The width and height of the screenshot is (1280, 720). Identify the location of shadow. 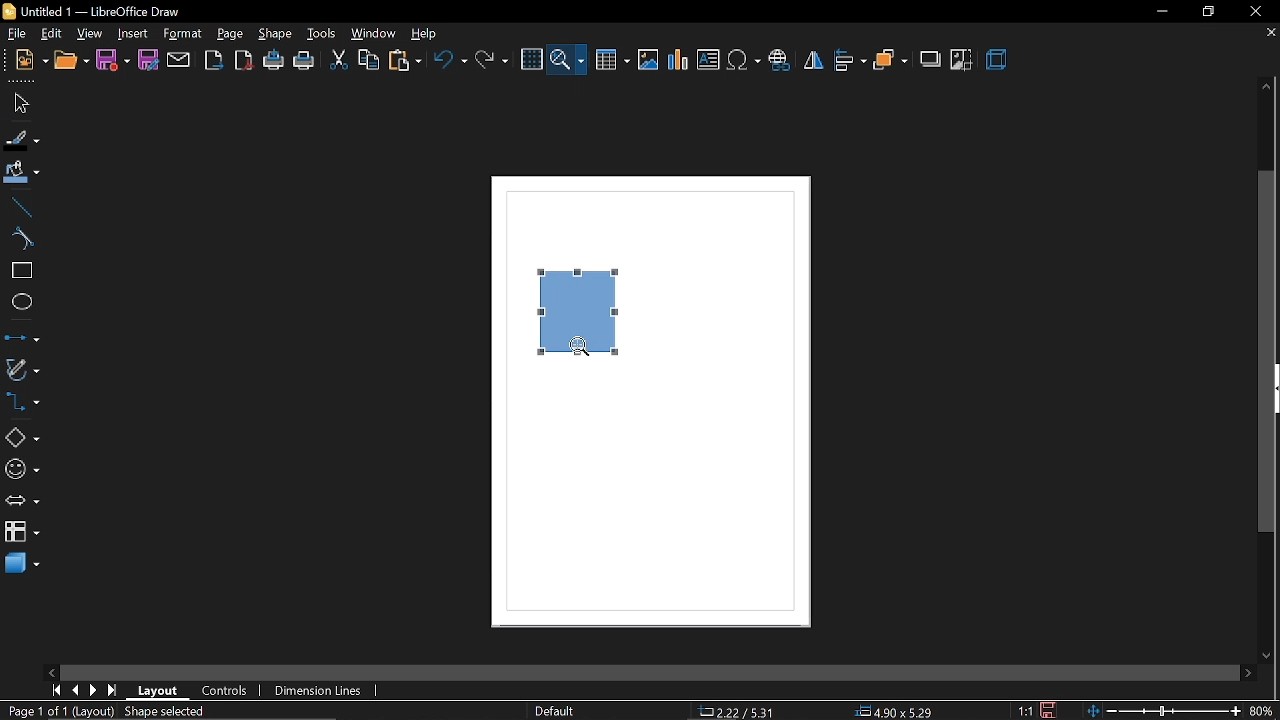
(931, 62).